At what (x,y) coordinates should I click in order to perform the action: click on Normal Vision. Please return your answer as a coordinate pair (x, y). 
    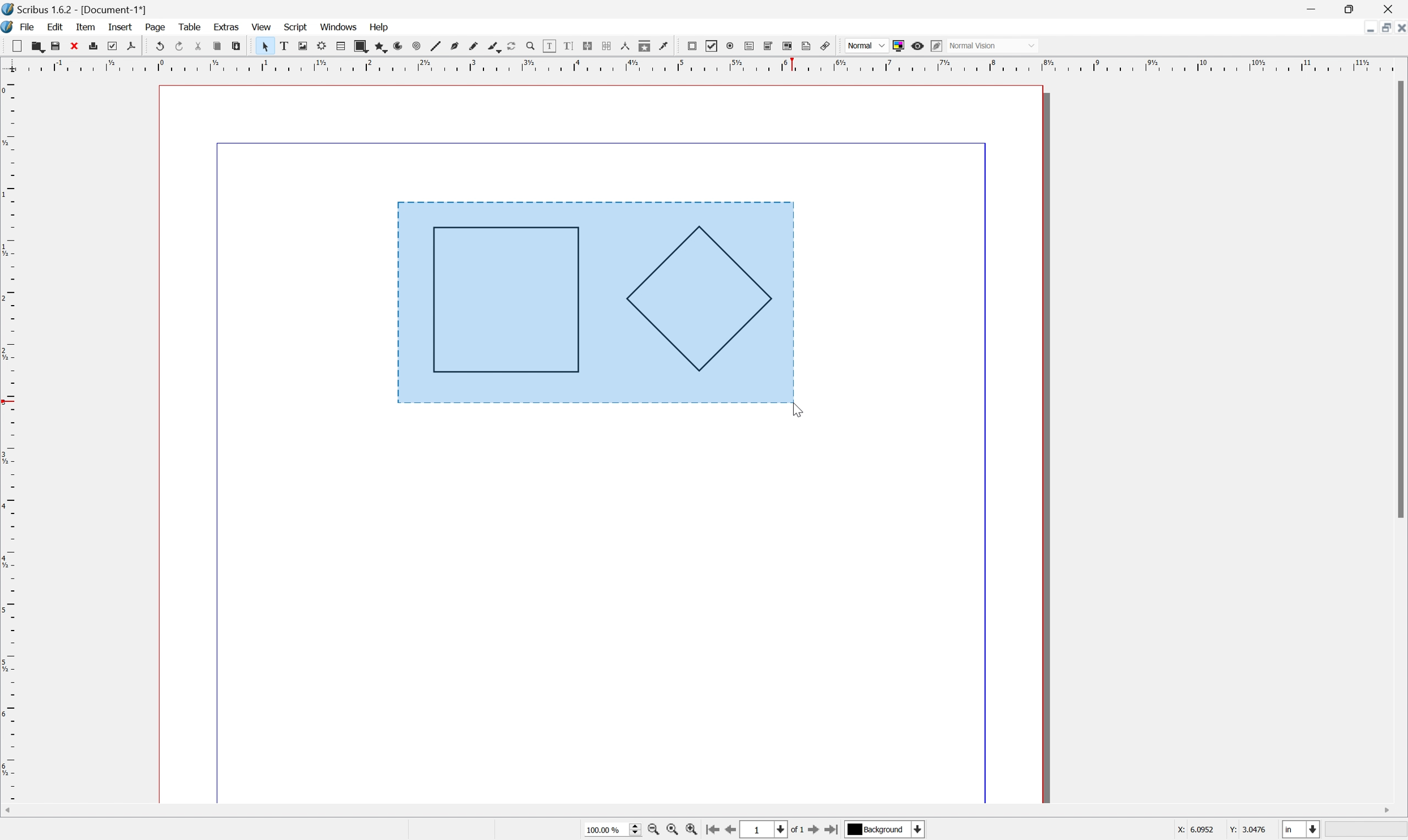
    Looking at the image, I should click on (994, 44).